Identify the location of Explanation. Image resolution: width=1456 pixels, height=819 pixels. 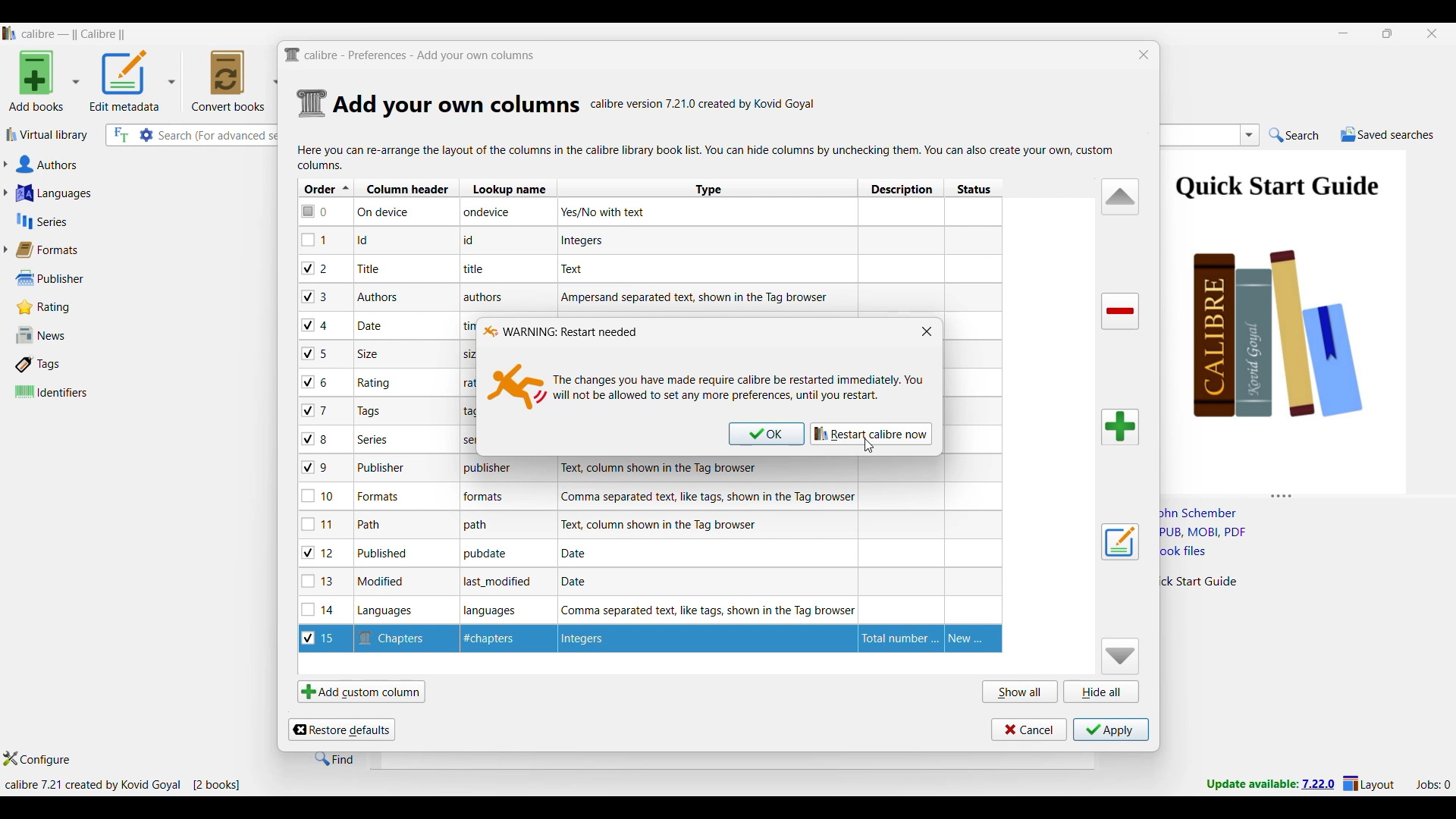
(708, 496).